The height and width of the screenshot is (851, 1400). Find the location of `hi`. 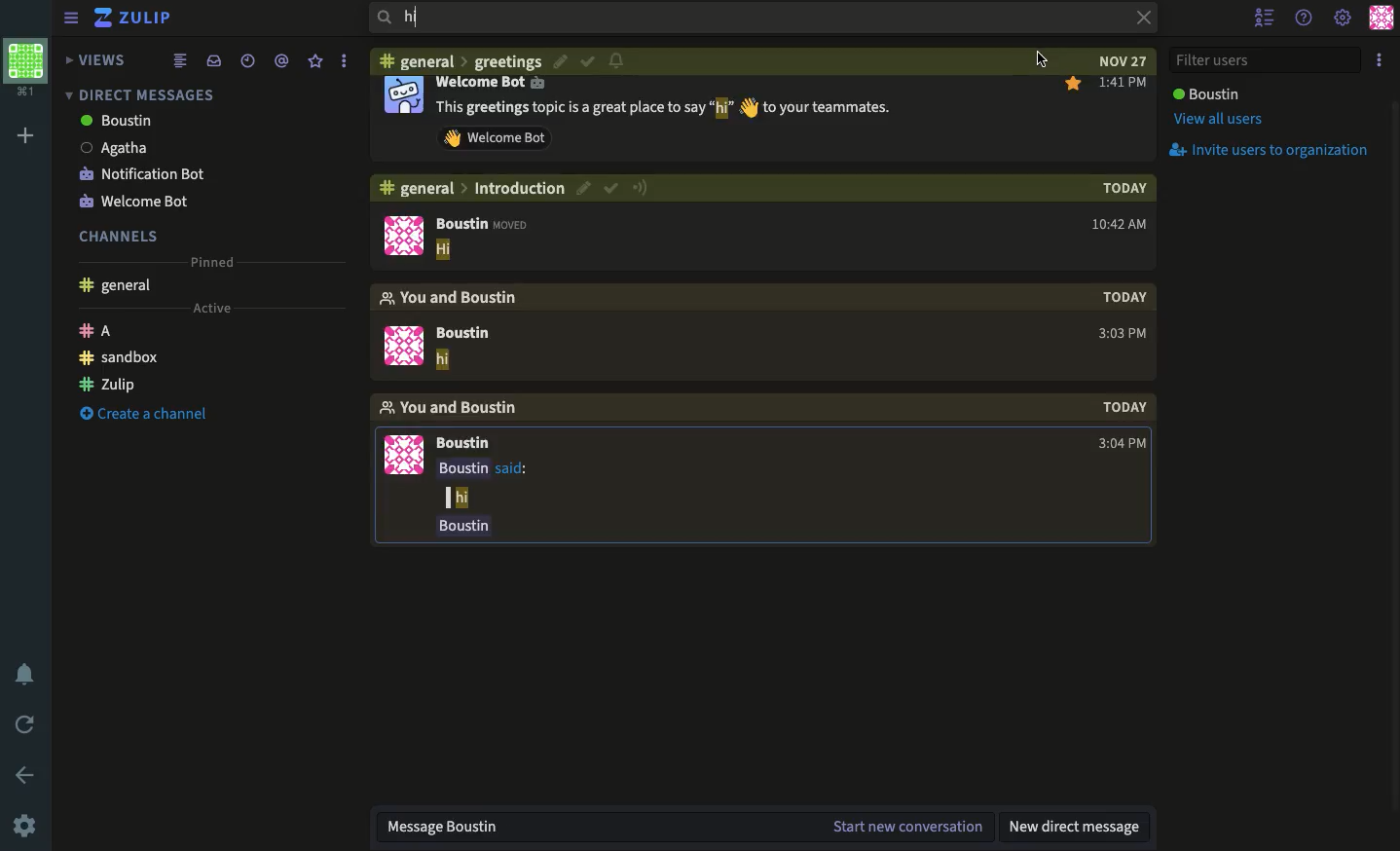

hi is located at coordinates (741, 17).